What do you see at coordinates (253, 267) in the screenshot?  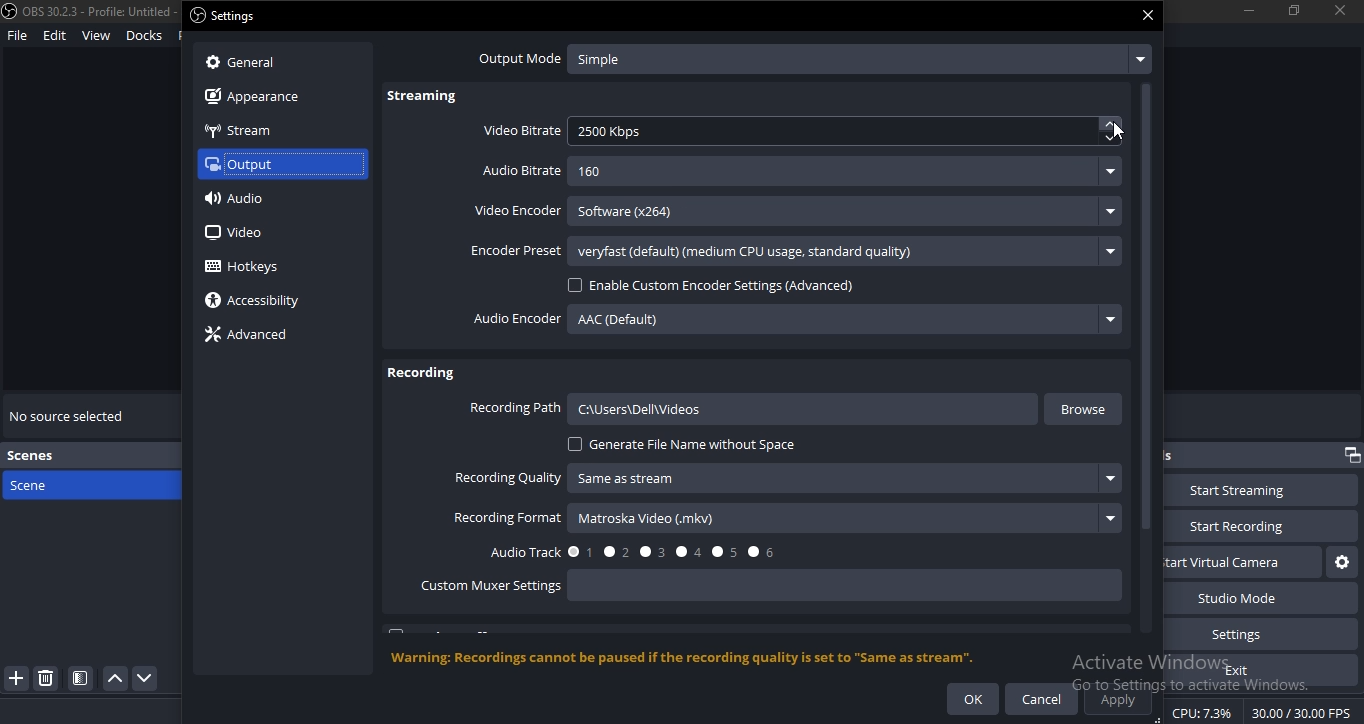 I see `hotkeys` at bounding box center [253, 267].